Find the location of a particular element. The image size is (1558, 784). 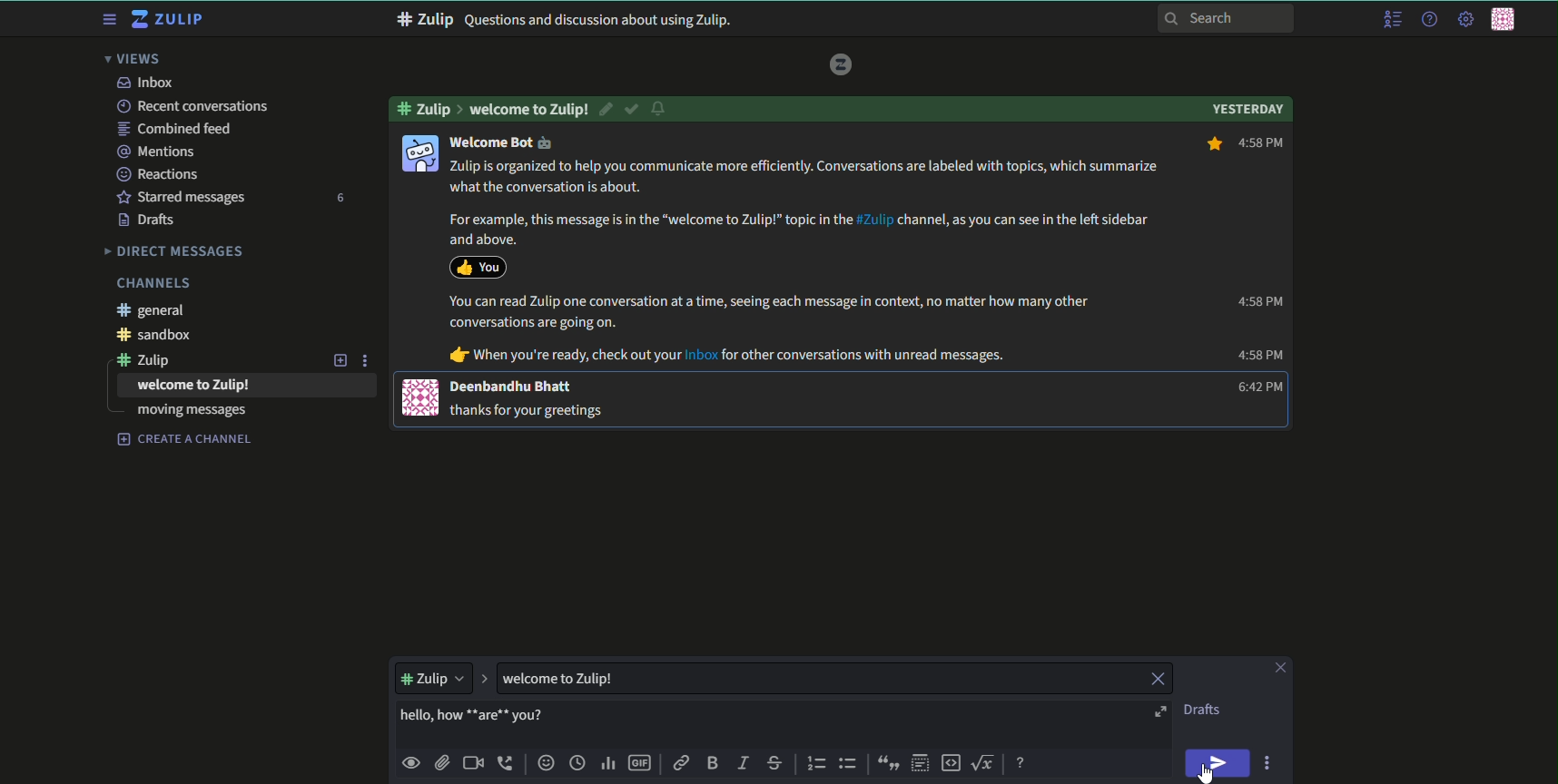

search bar is located at coordinates (1227, 17).